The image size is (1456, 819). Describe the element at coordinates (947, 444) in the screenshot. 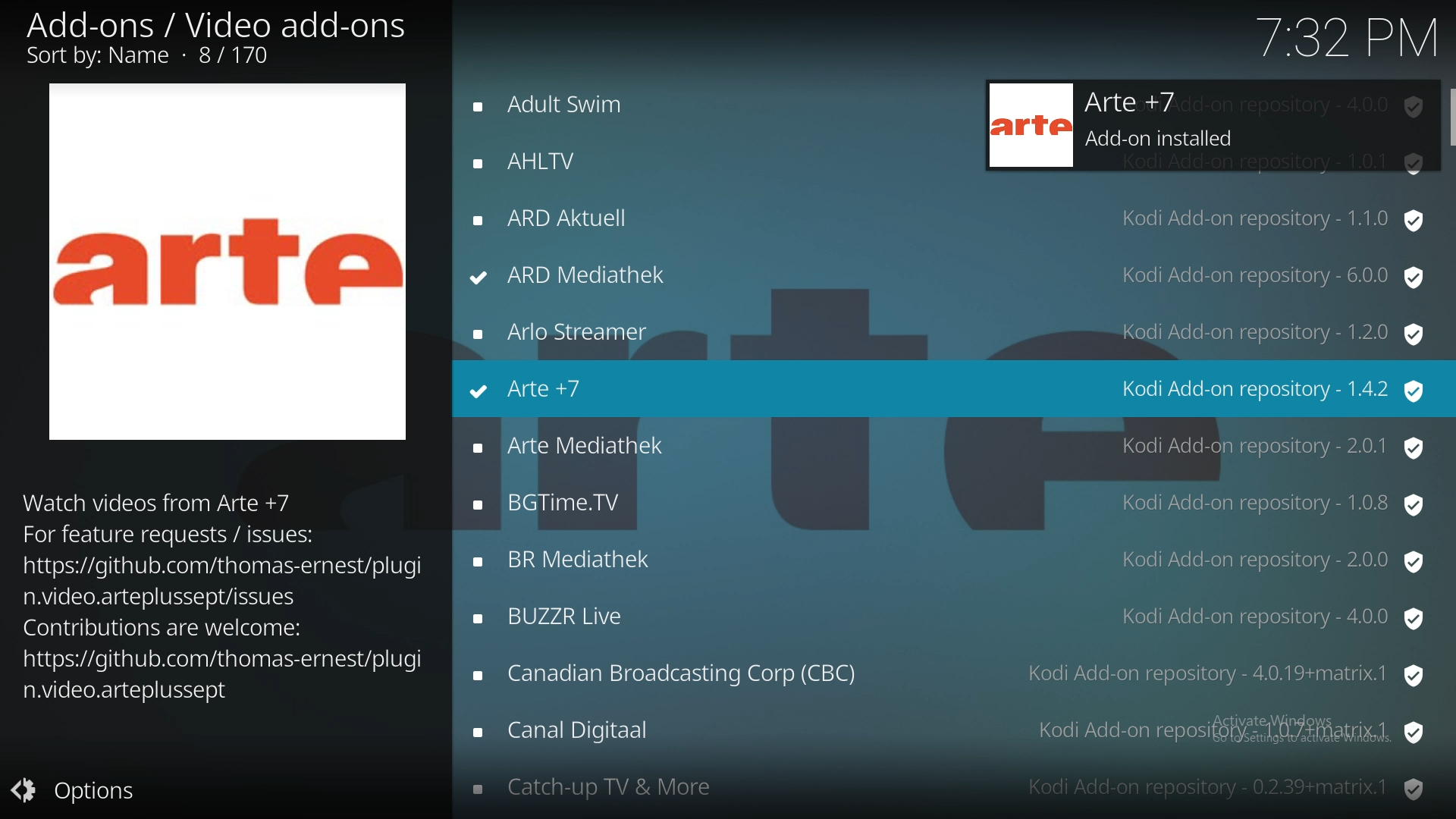

I see `add on` at that location.